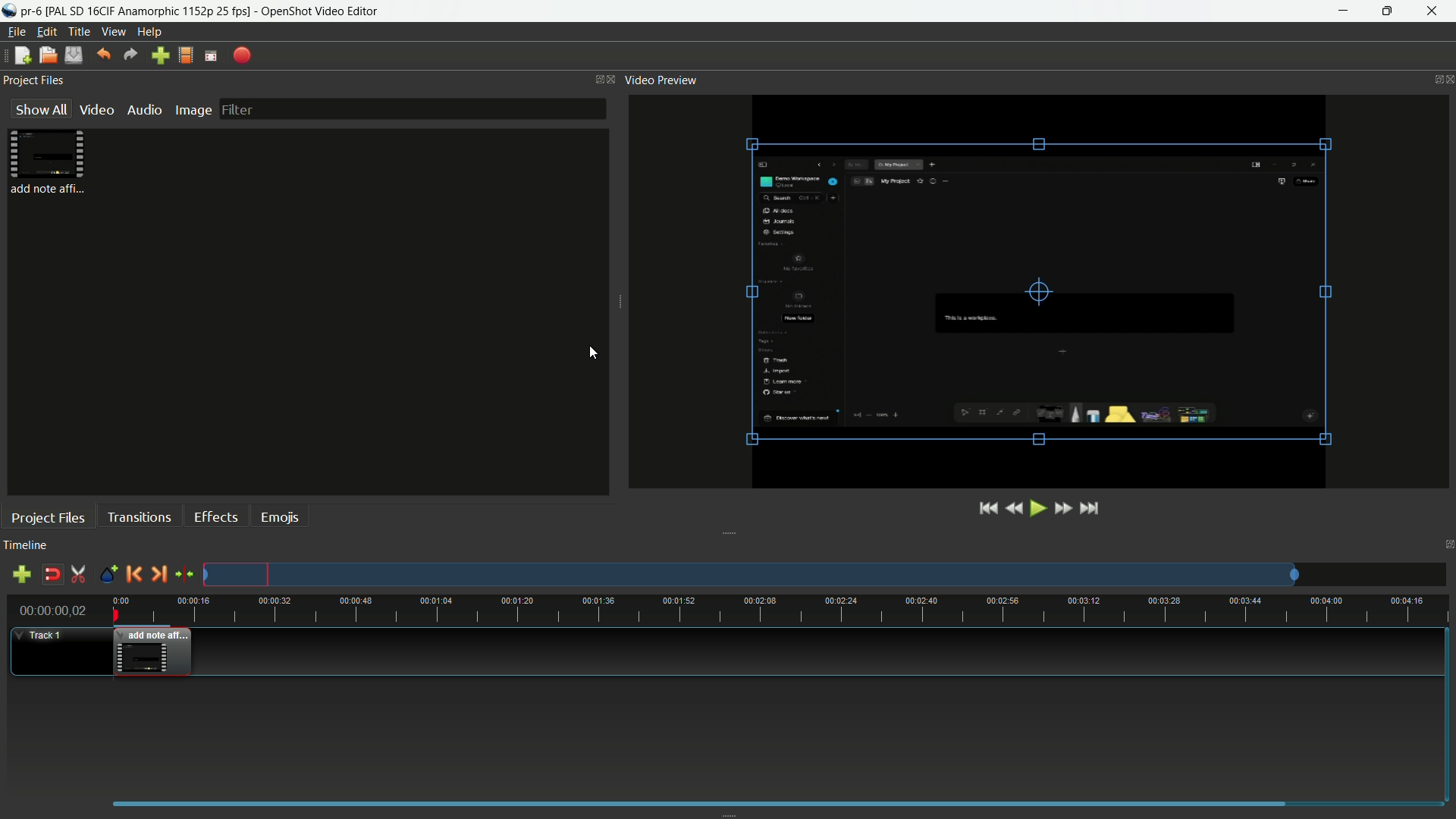 The image size is (1456, 819). What do you see at coordinates (152, 652) in the screenshot?
I see `video in timeline` at bounding box center [152, 652].